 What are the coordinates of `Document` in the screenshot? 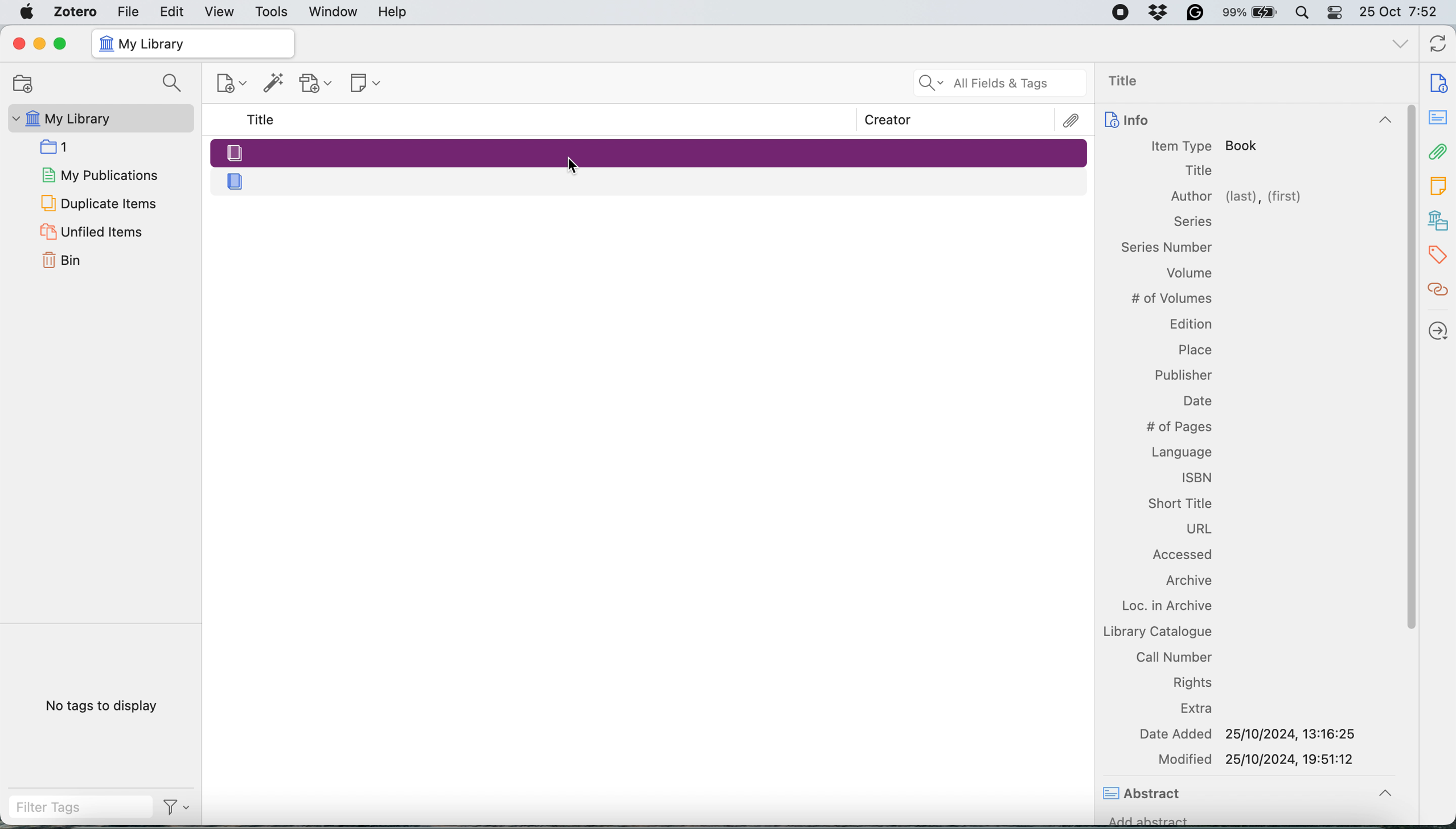 It's located at (1439, 83).